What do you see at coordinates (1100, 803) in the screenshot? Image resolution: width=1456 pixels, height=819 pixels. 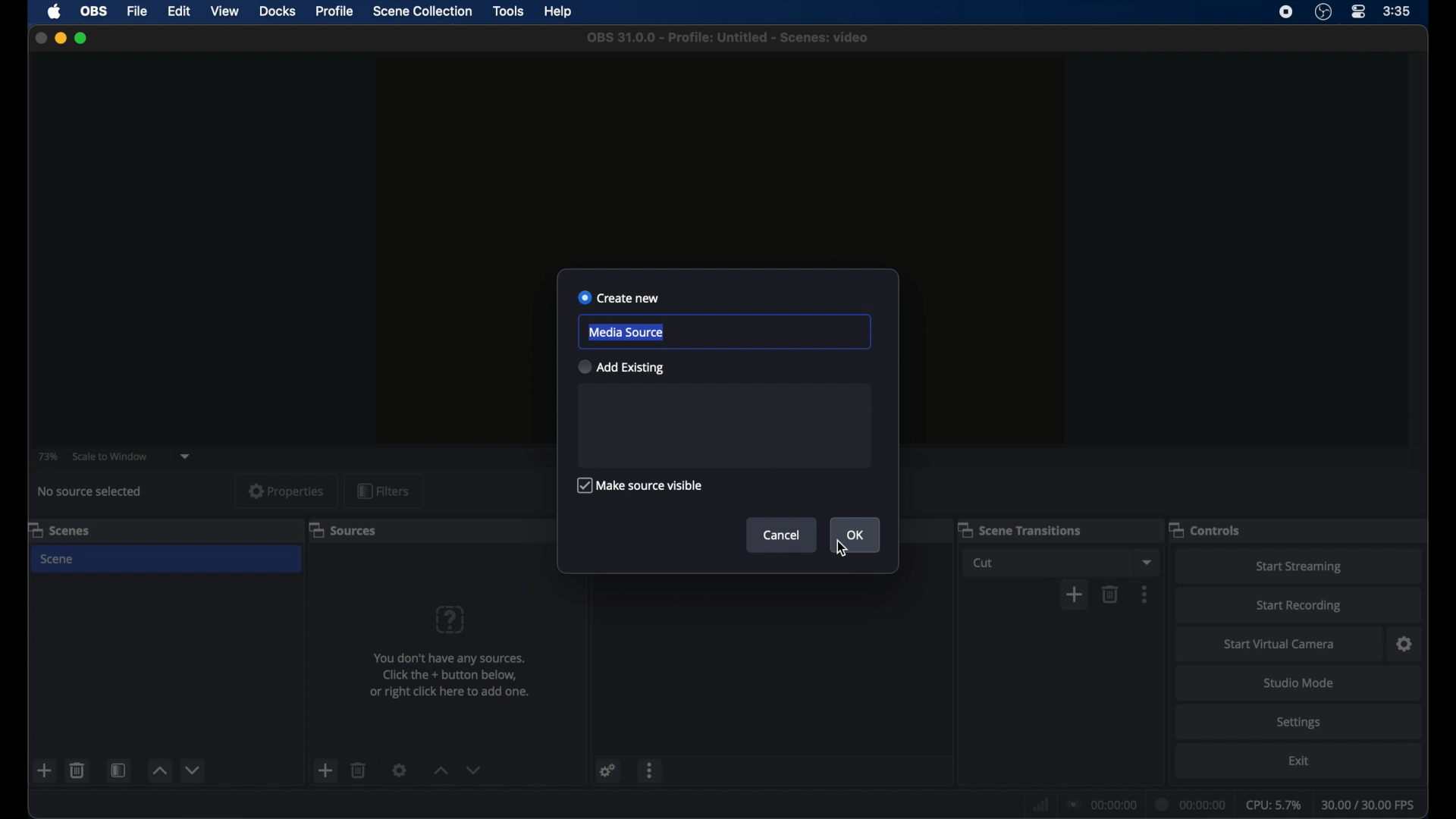 I see `connection` at bounding box center [1100, 803].